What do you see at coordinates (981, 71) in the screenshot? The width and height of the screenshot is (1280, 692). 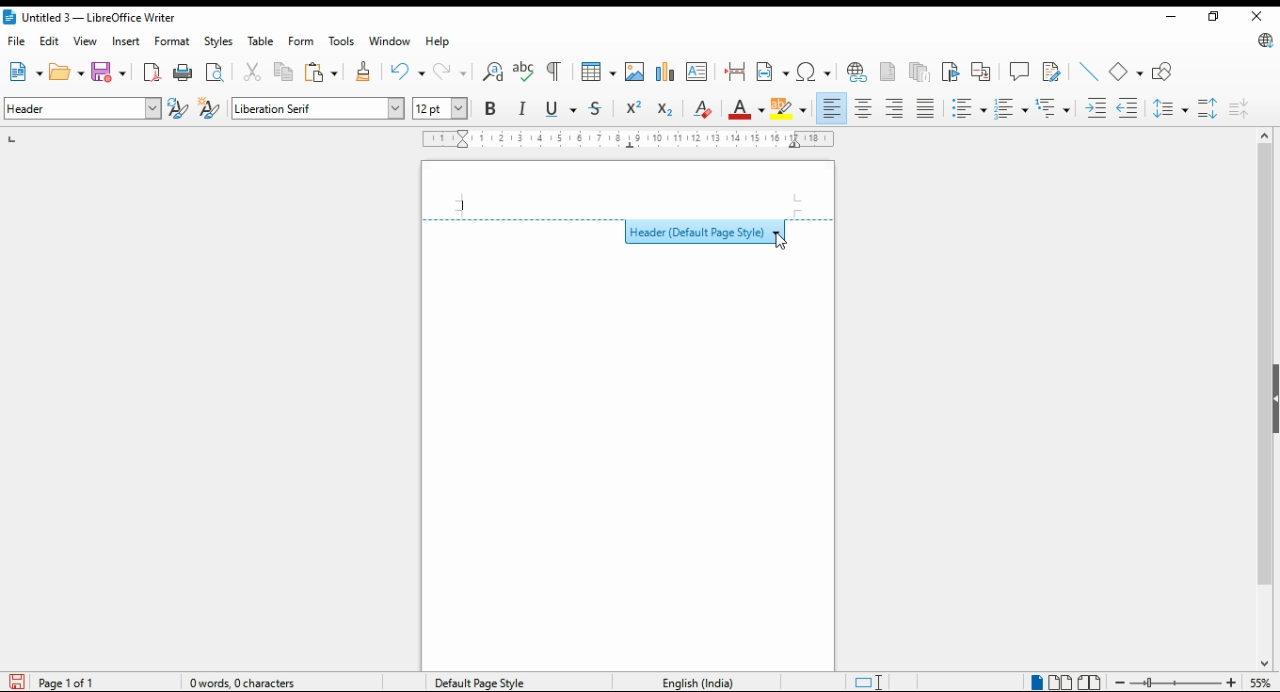 I see `insert cross-reference` at bounding box center [981, 71].